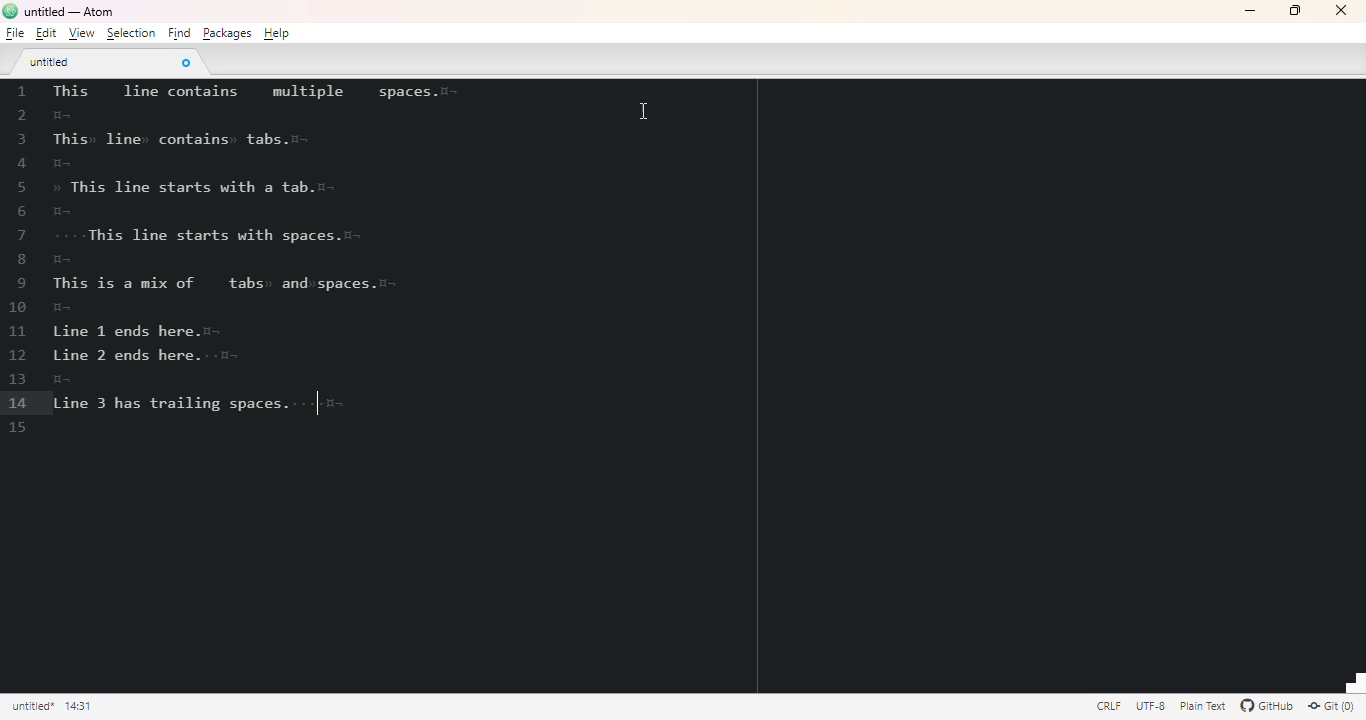  I want to click on close tab, so click(185, 62).